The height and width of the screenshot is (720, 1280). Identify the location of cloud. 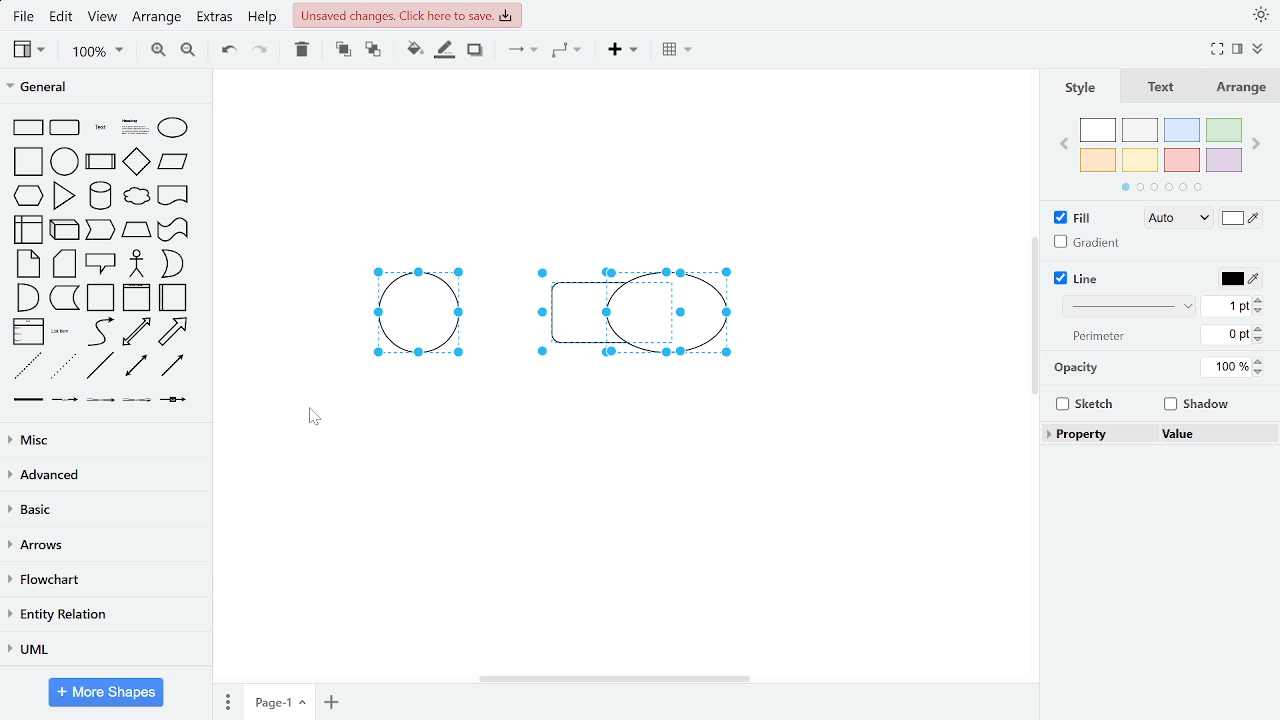
(135, 196).